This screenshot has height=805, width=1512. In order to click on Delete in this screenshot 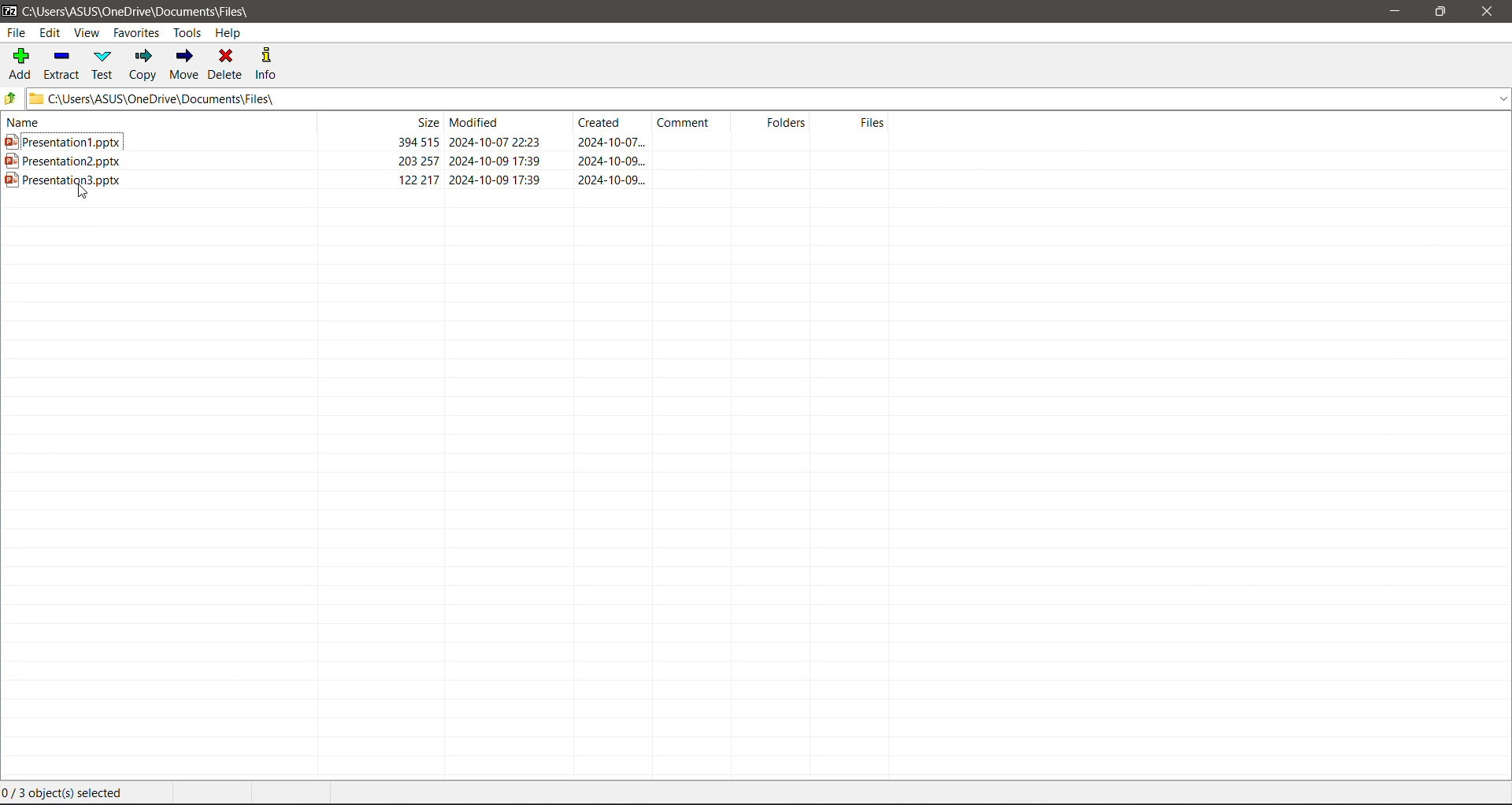, I will do `click(228, 65)`.